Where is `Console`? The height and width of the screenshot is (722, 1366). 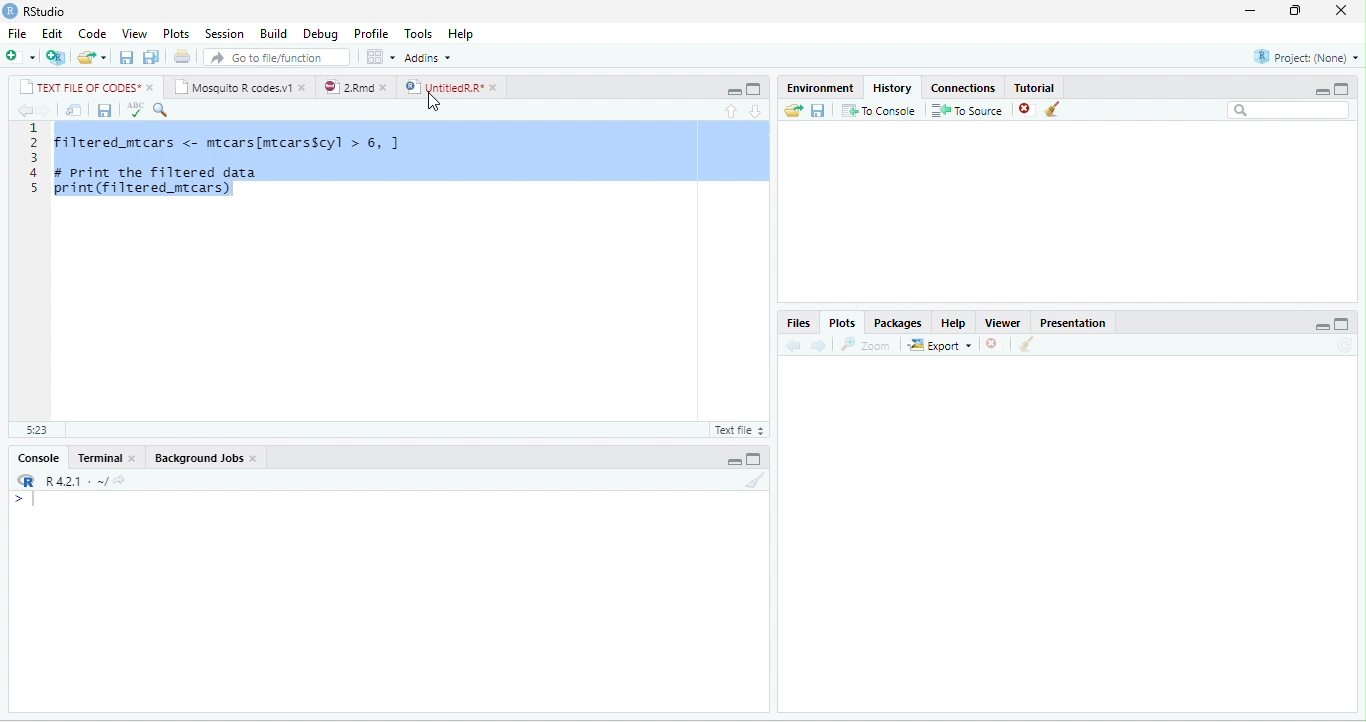 Console is located at coordinates (37, 458).